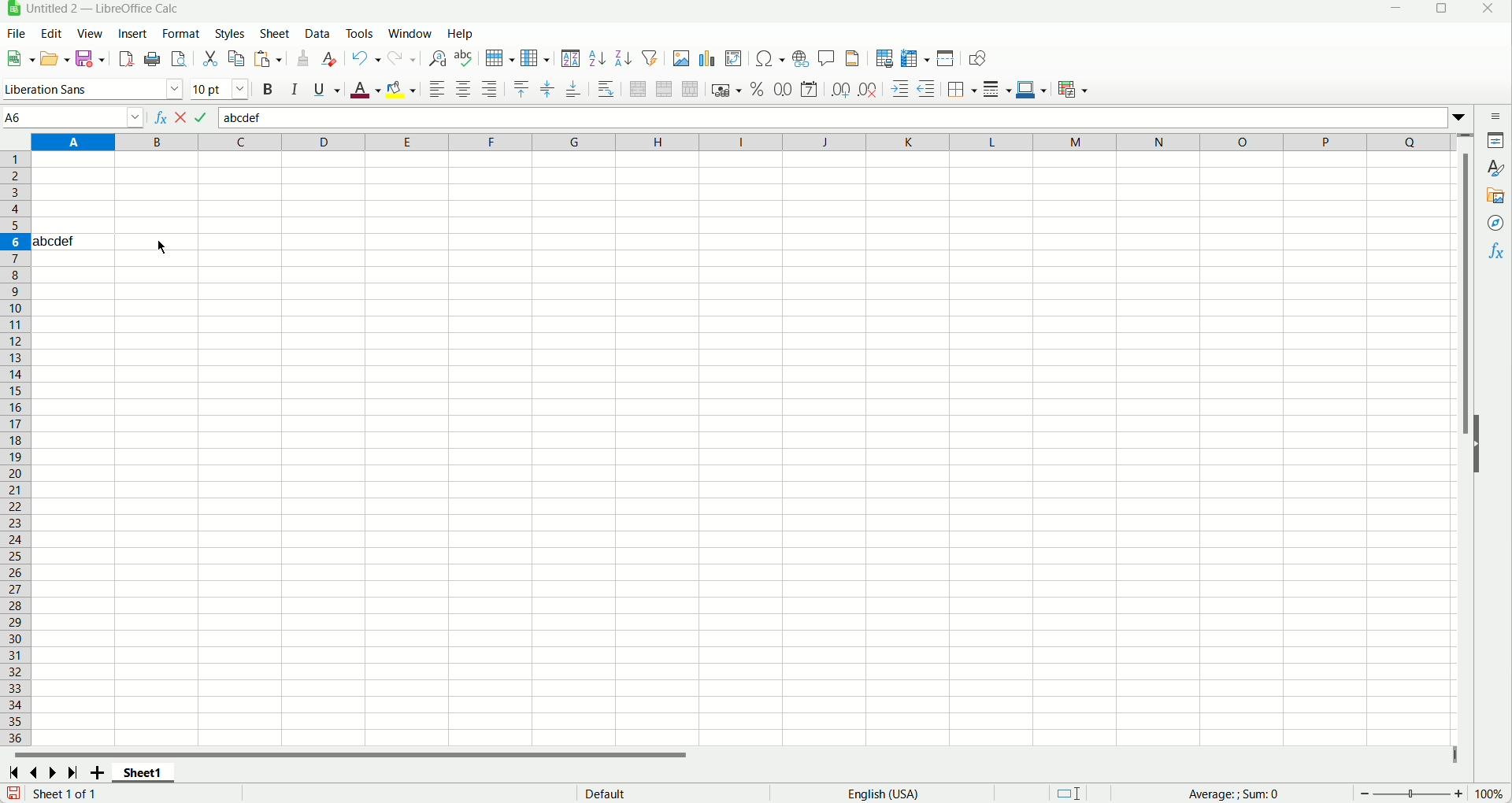 The image size is (1512, 803). I want to click on window, so click(409, 33).